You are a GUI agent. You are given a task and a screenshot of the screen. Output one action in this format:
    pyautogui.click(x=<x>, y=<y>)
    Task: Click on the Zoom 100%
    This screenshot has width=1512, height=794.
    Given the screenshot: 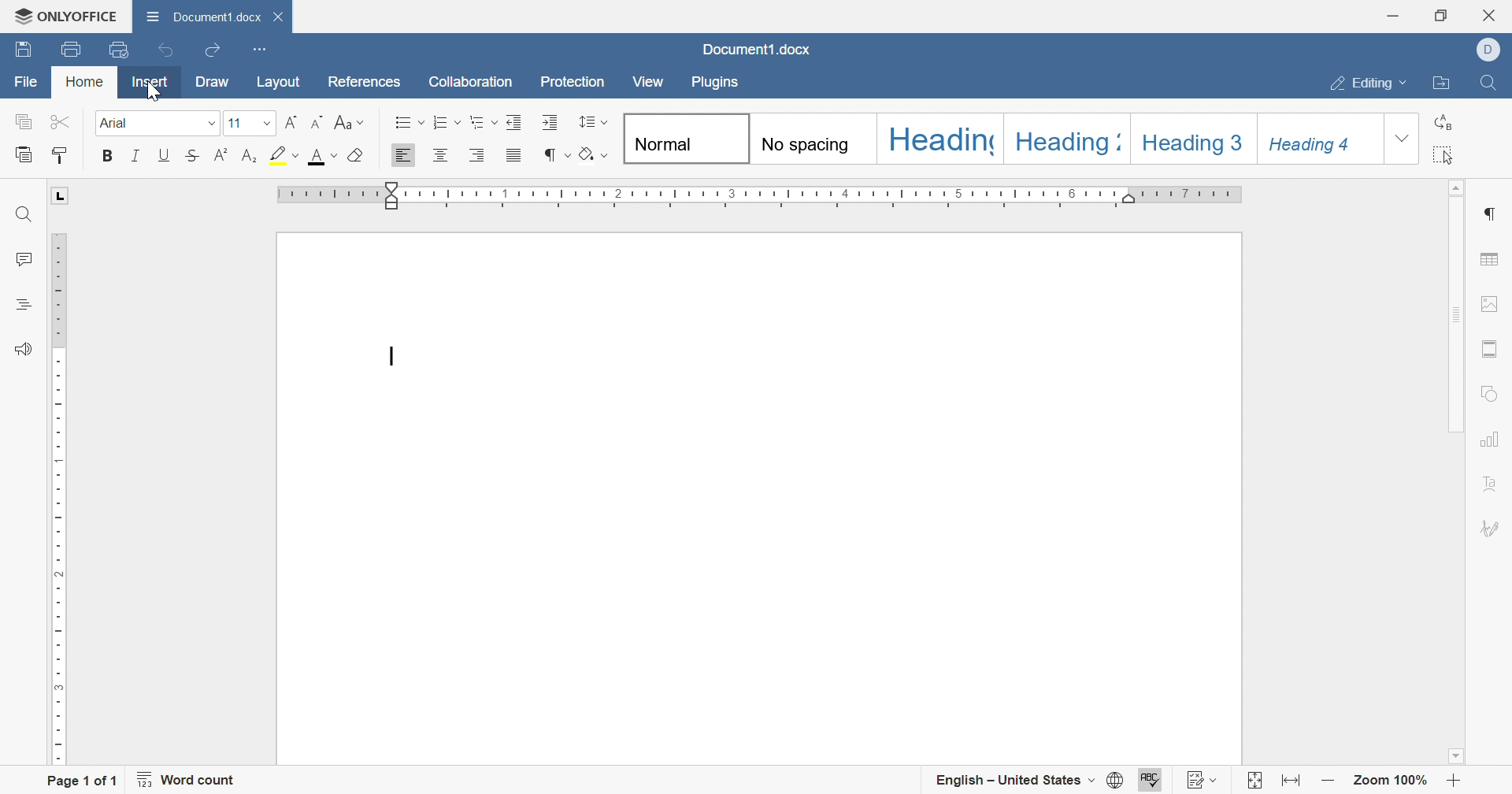 What is the action you would take?
    pyautogui.click(x=1392, y=778)
    